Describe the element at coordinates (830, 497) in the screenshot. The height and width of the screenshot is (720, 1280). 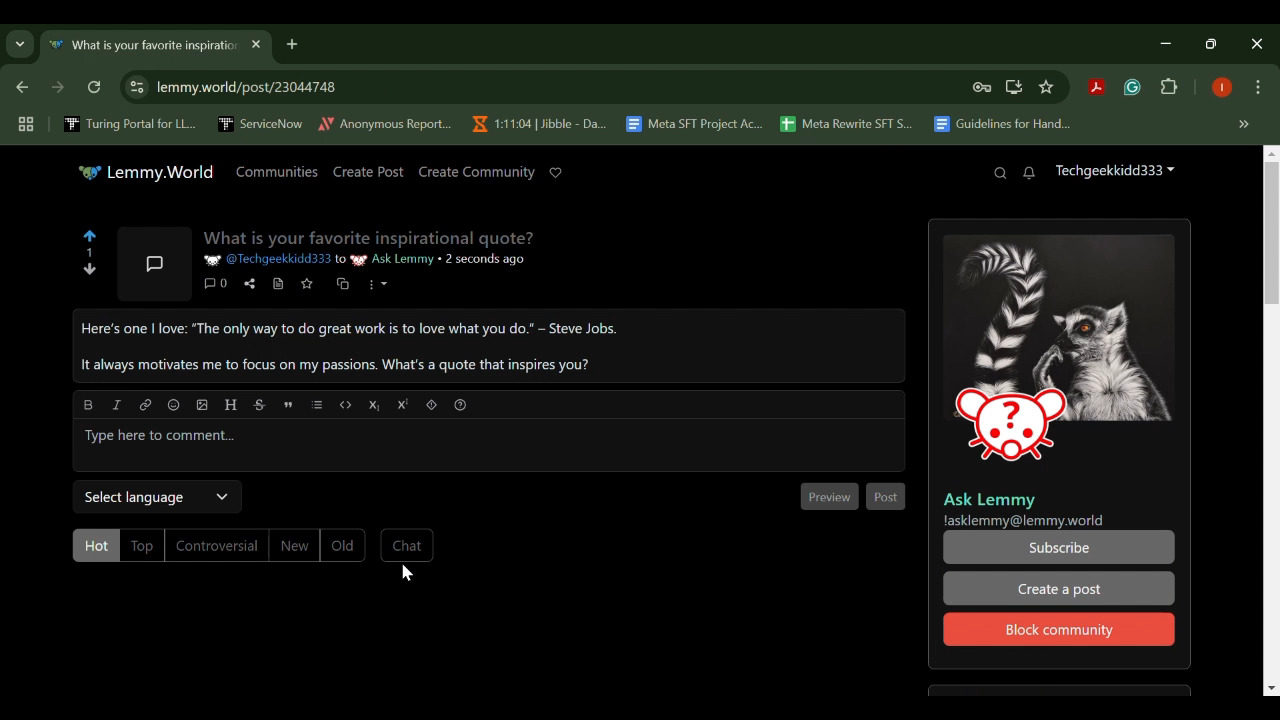
I see `Preview` at that location.